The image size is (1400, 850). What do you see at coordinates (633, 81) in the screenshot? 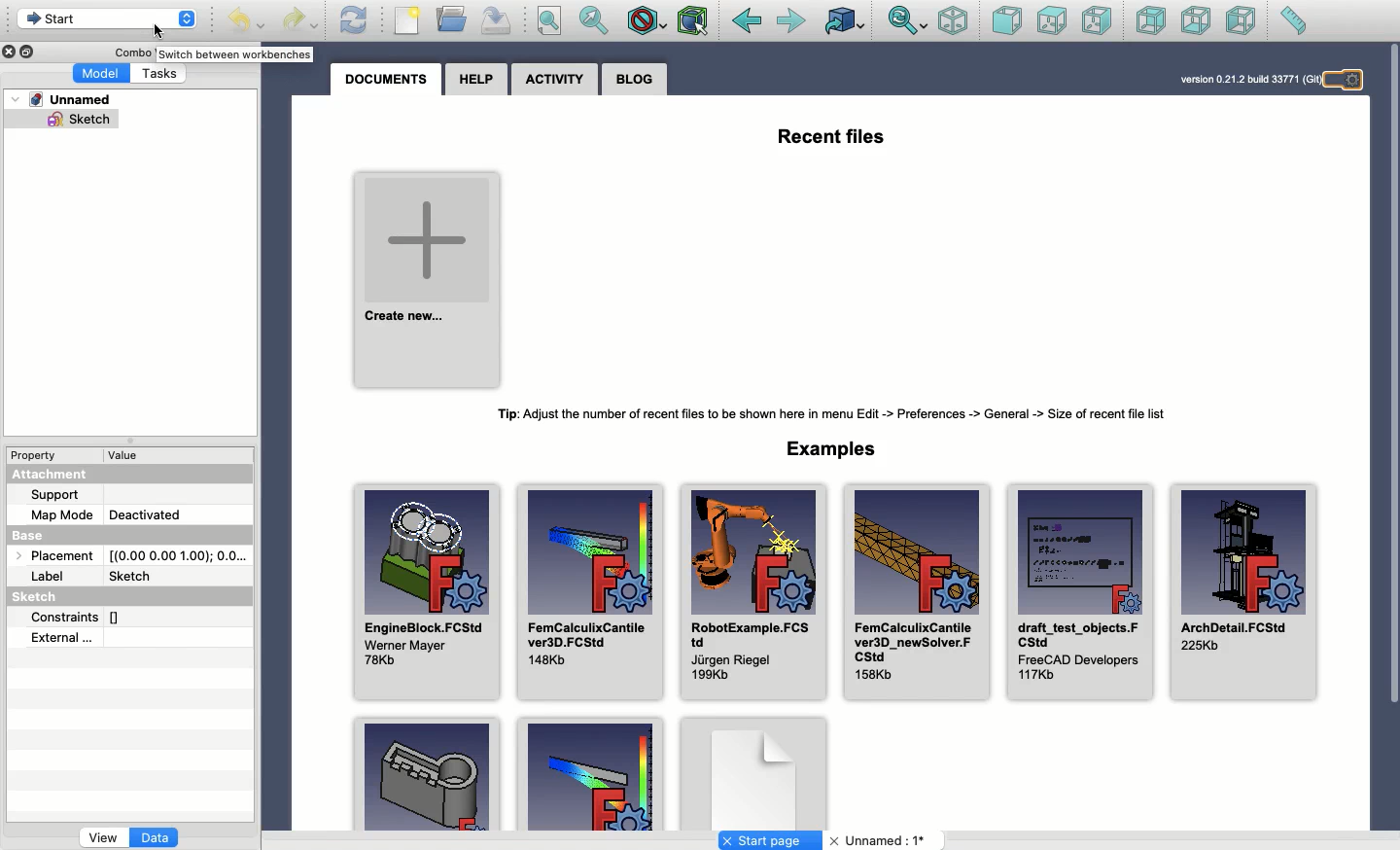
I see `Blog` at bounding box center [633, 81].